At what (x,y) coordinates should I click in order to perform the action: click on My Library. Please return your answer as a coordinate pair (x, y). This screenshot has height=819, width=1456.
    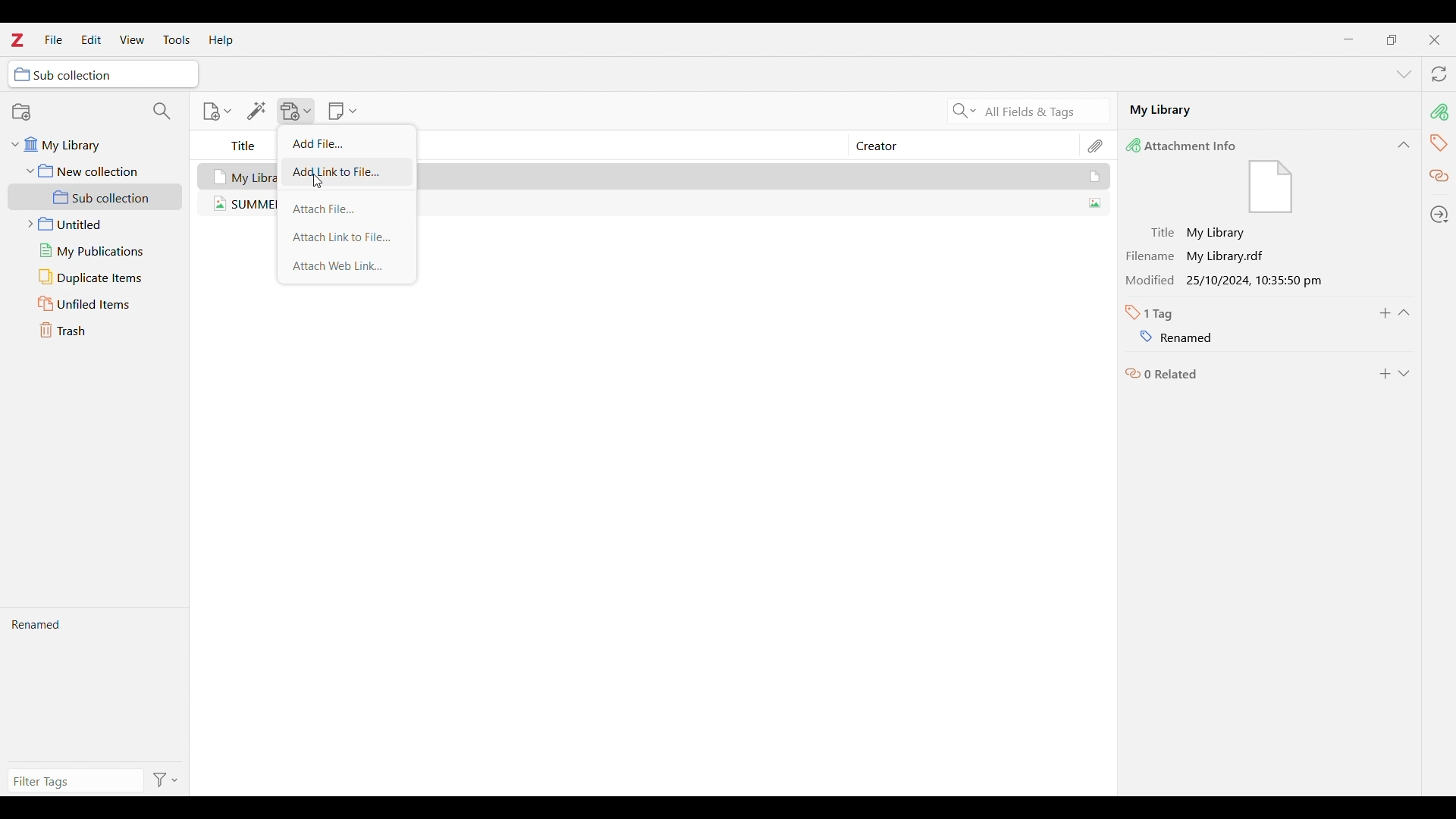
    Looking at the image, I should click on (762, 175).